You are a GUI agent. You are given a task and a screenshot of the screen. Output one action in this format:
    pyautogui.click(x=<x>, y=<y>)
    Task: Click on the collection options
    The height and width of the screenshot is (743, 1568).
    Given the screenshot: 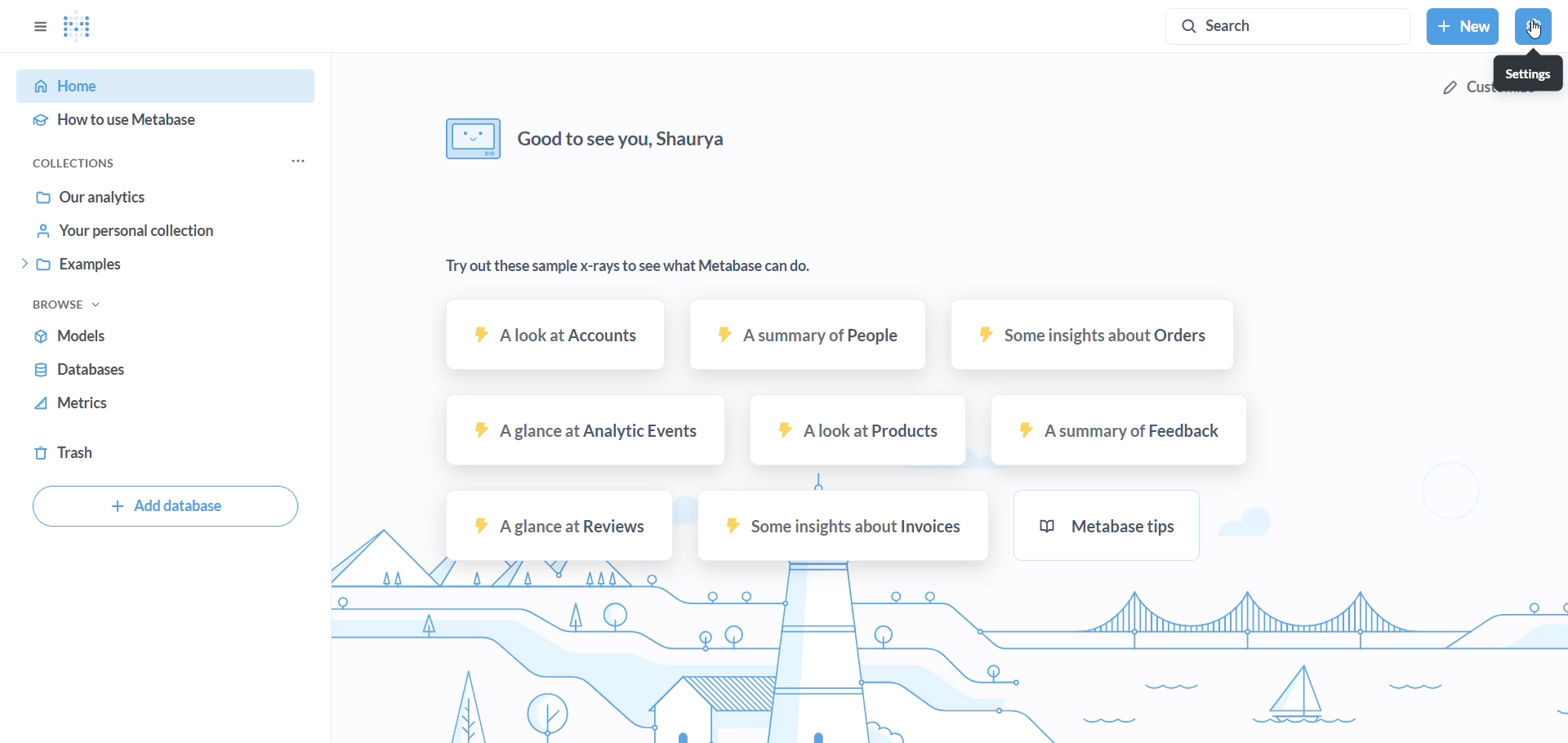 What is the action you would take?
    pyautogui.click(x=298, y=162)
    